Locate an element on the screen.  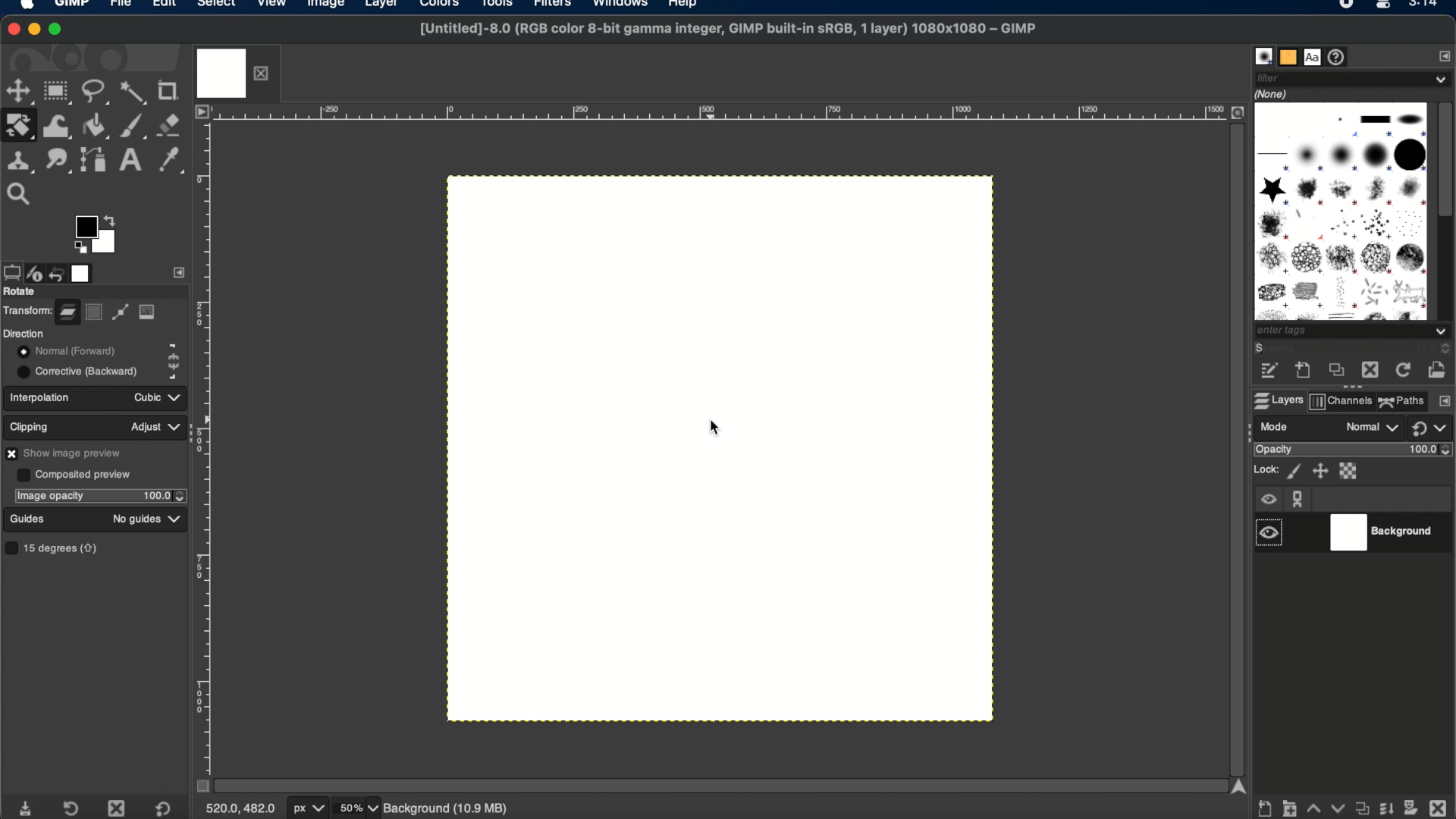
scroll bar is located at coordinates (715, 784).